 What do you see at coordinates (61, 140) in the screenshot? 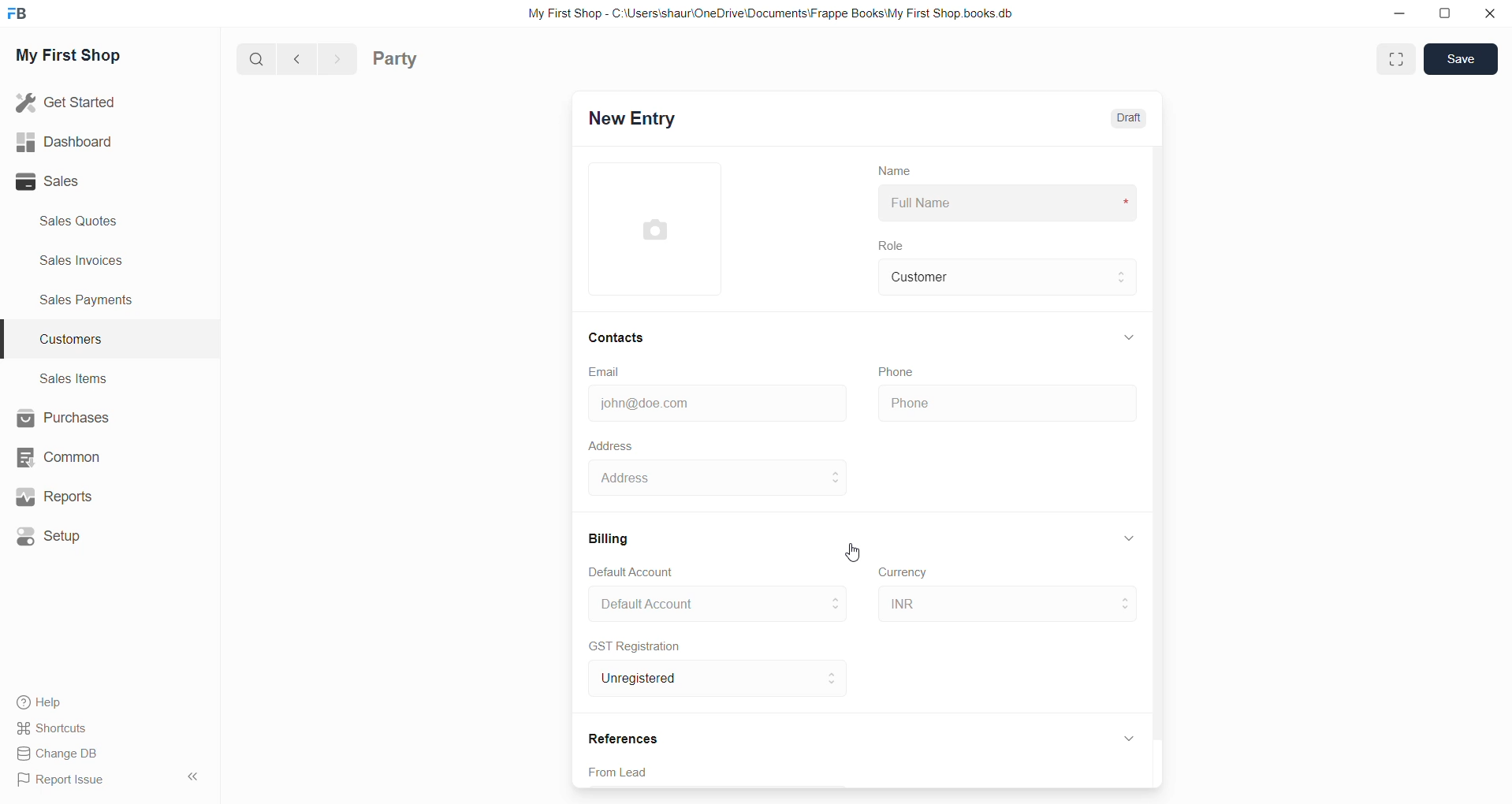
I see `Dashboard` at bounding box center [61, 140].